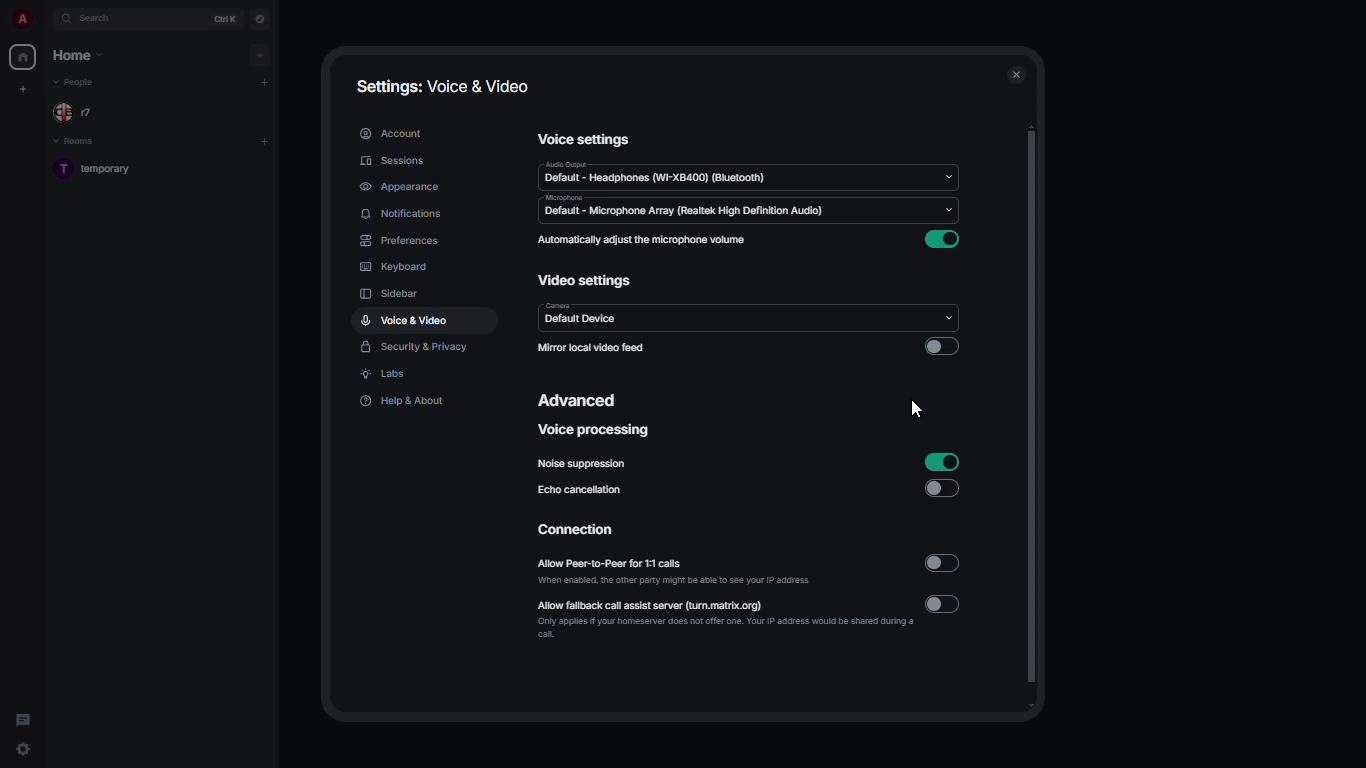  What do you see at coordinates (1017, 75) in the screenshot?
I see `close` at bounding box center [1017, 75].